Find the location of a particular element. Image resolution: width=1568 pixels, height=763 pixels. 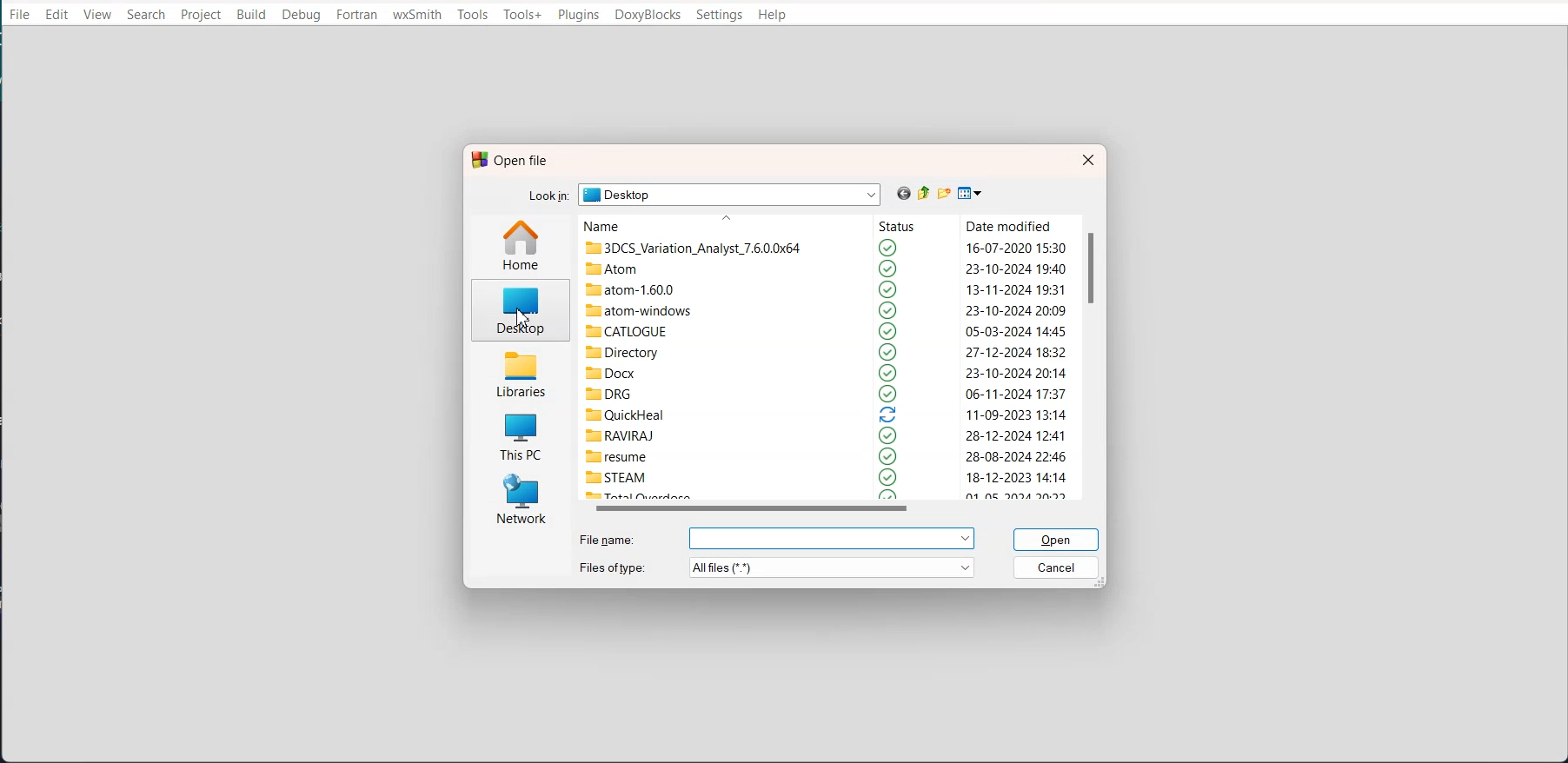

Status is located at coordinates (915, 225).